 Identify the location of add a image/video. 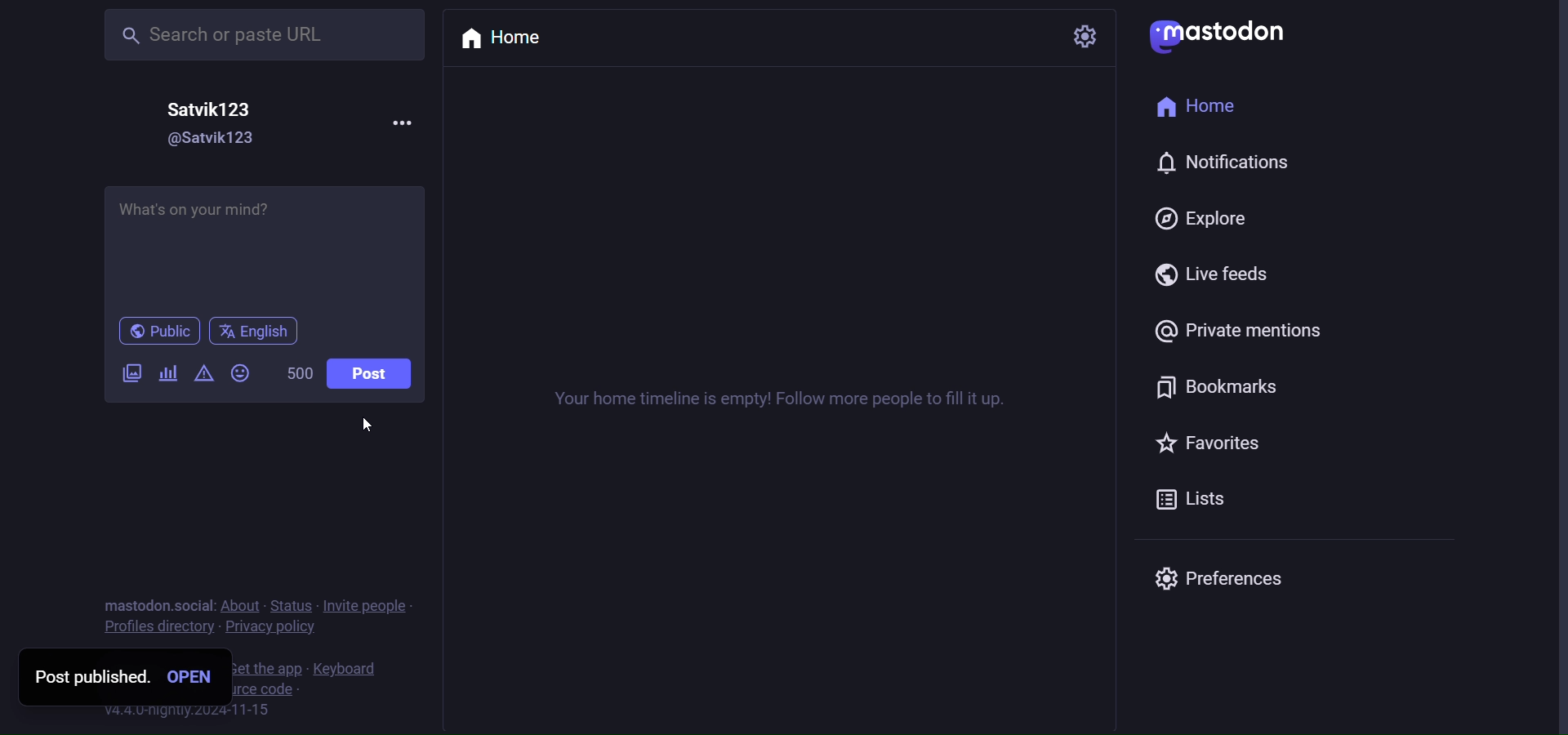
(127, 376).